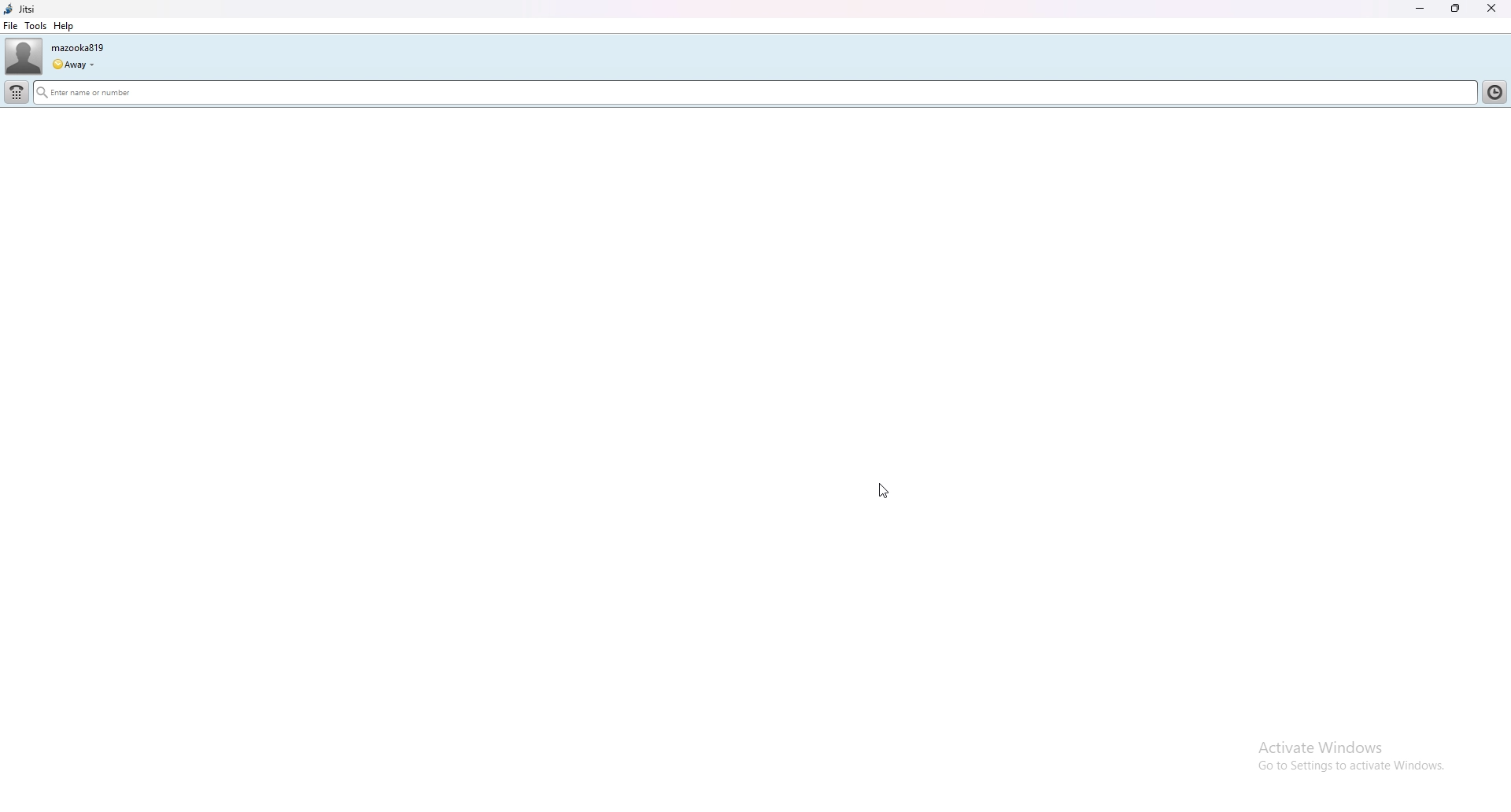  What do you see at coordinates (1420, 9) in the screenshot?
I see `minimize` at bounding box center [1420, 9].